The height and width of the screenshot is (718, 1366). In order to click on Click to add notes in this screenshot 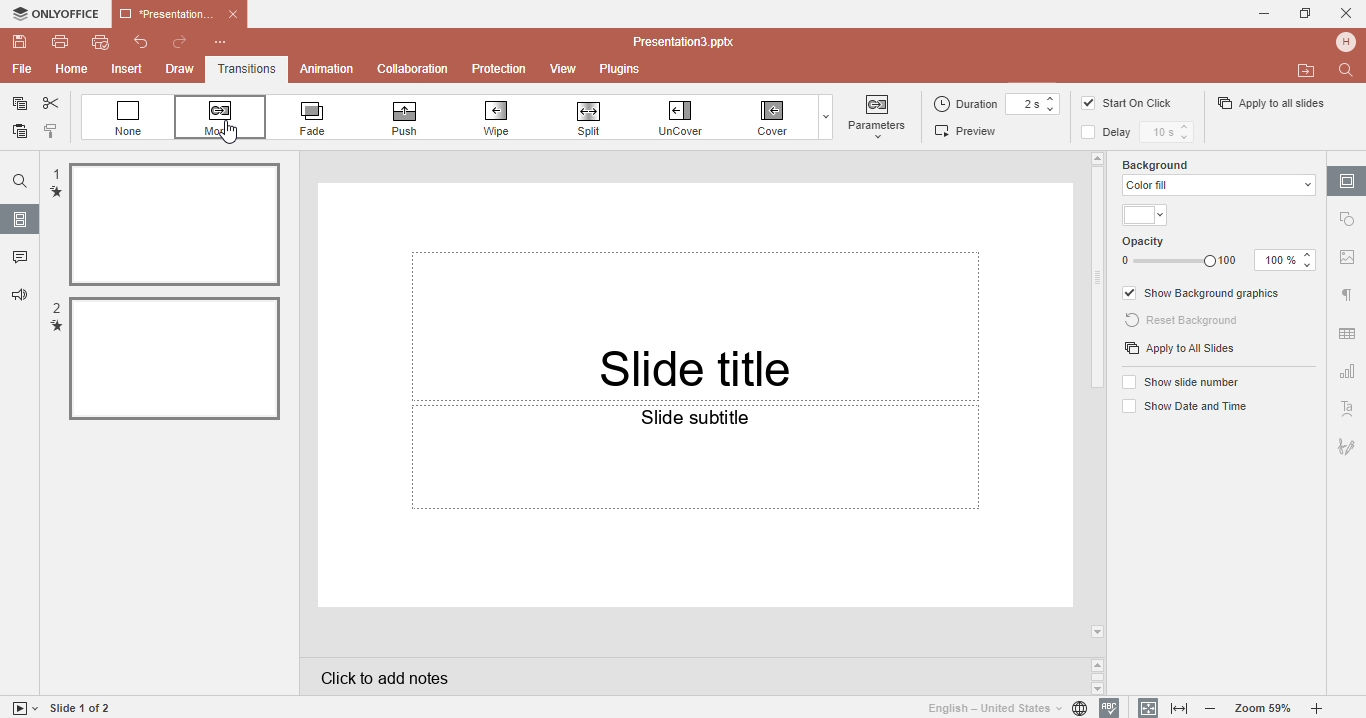, I will do `click(692, 676)`.